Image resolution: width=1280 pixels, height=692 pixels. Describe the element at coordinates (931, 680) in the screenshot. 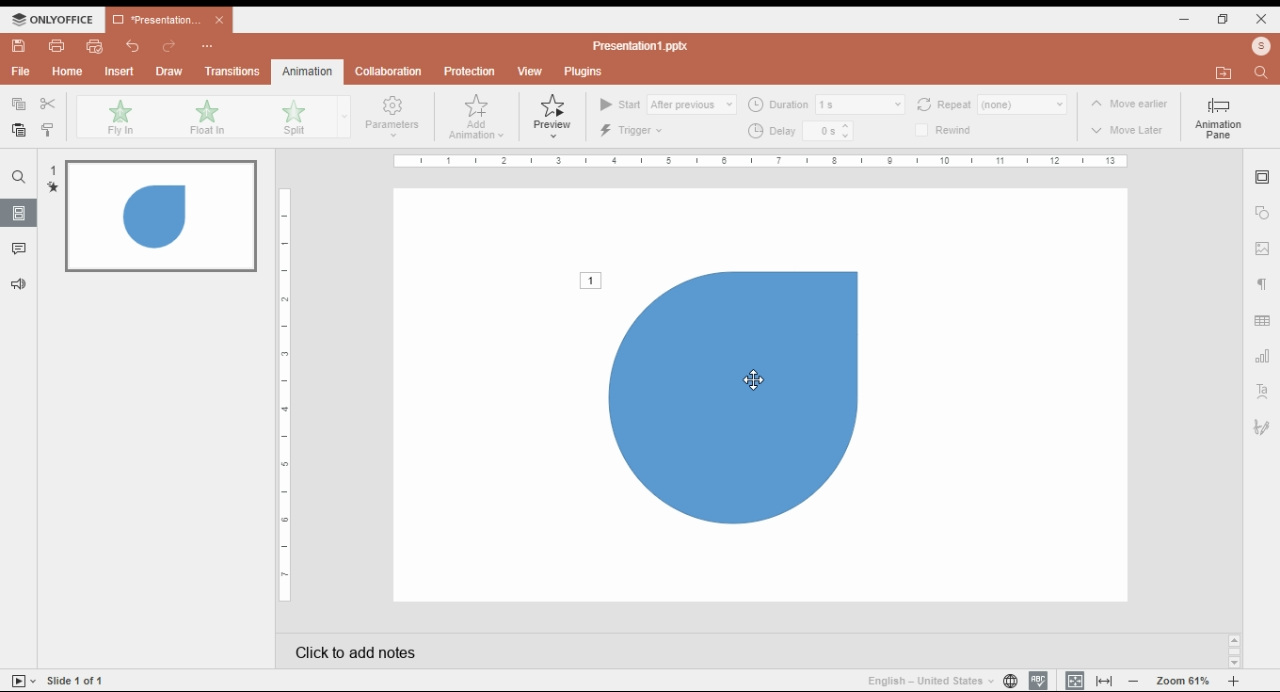

I see `languages` at that location.